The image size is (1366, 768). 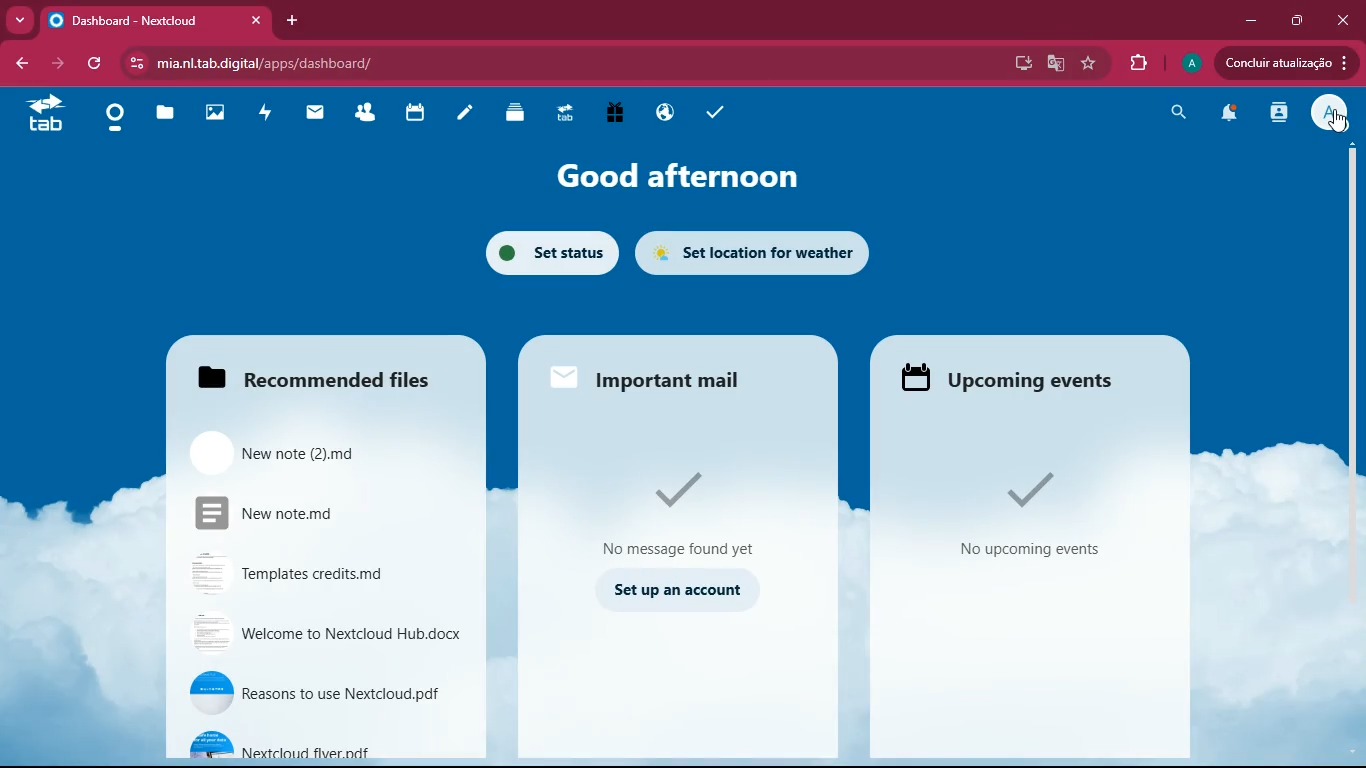 What do you see at coordinates (418, 115) in the screenshot?
I see `calendar` at bounding box center [418, 115].